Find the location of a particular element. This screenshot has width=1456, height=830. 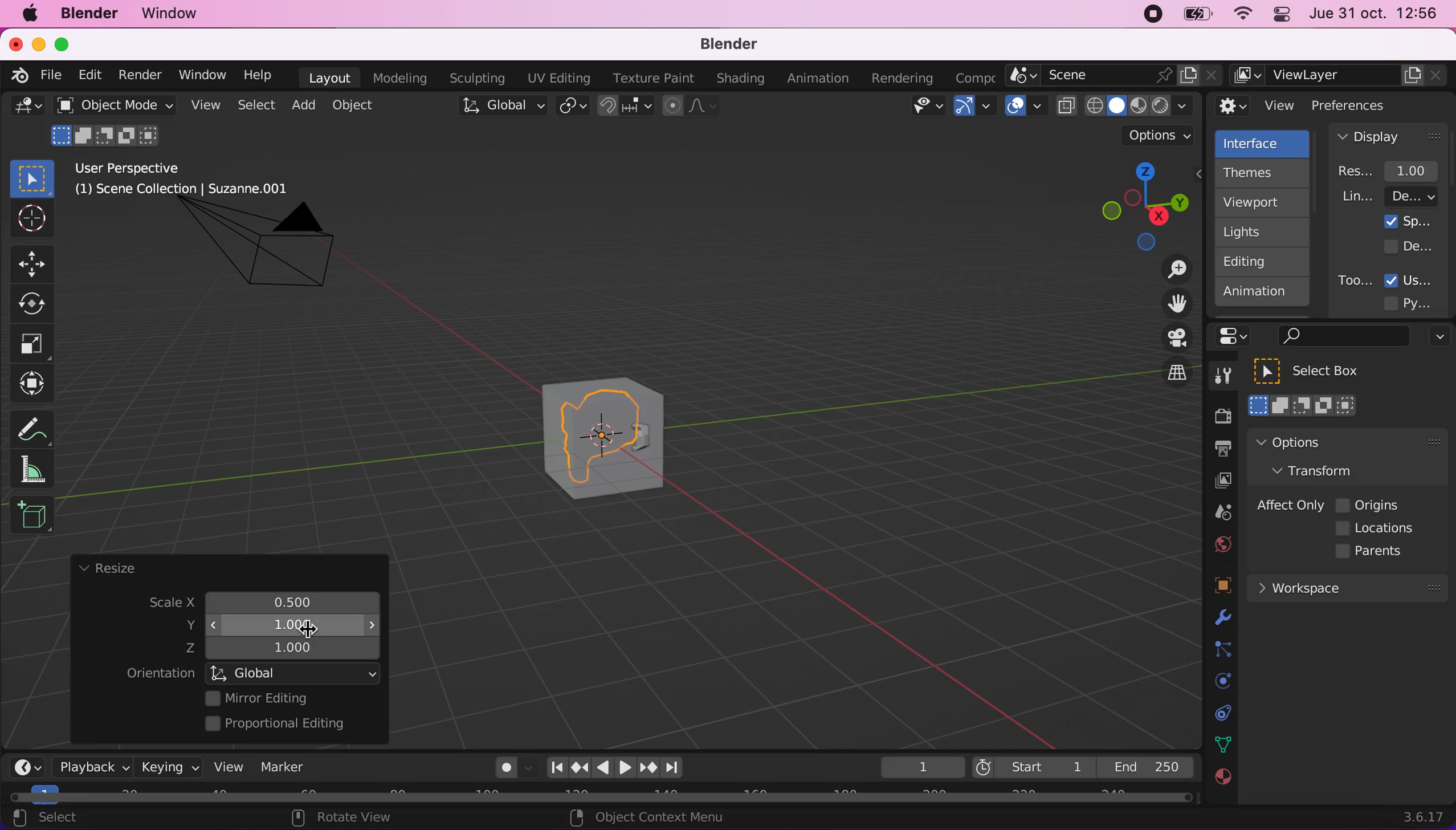

z is located at coordinates (287, 649).